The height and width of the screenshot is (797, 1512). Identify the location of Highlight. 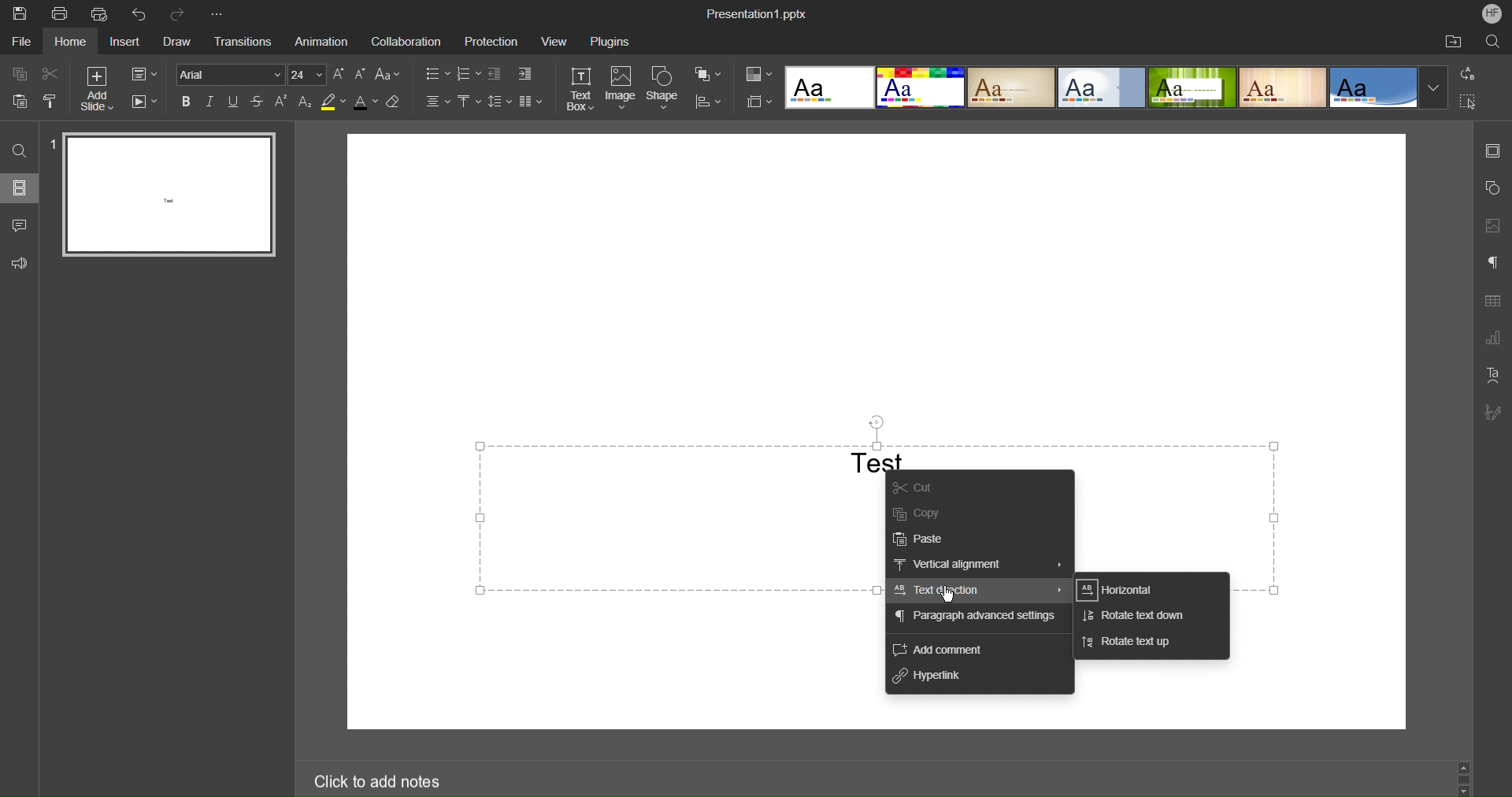
(332, 103).